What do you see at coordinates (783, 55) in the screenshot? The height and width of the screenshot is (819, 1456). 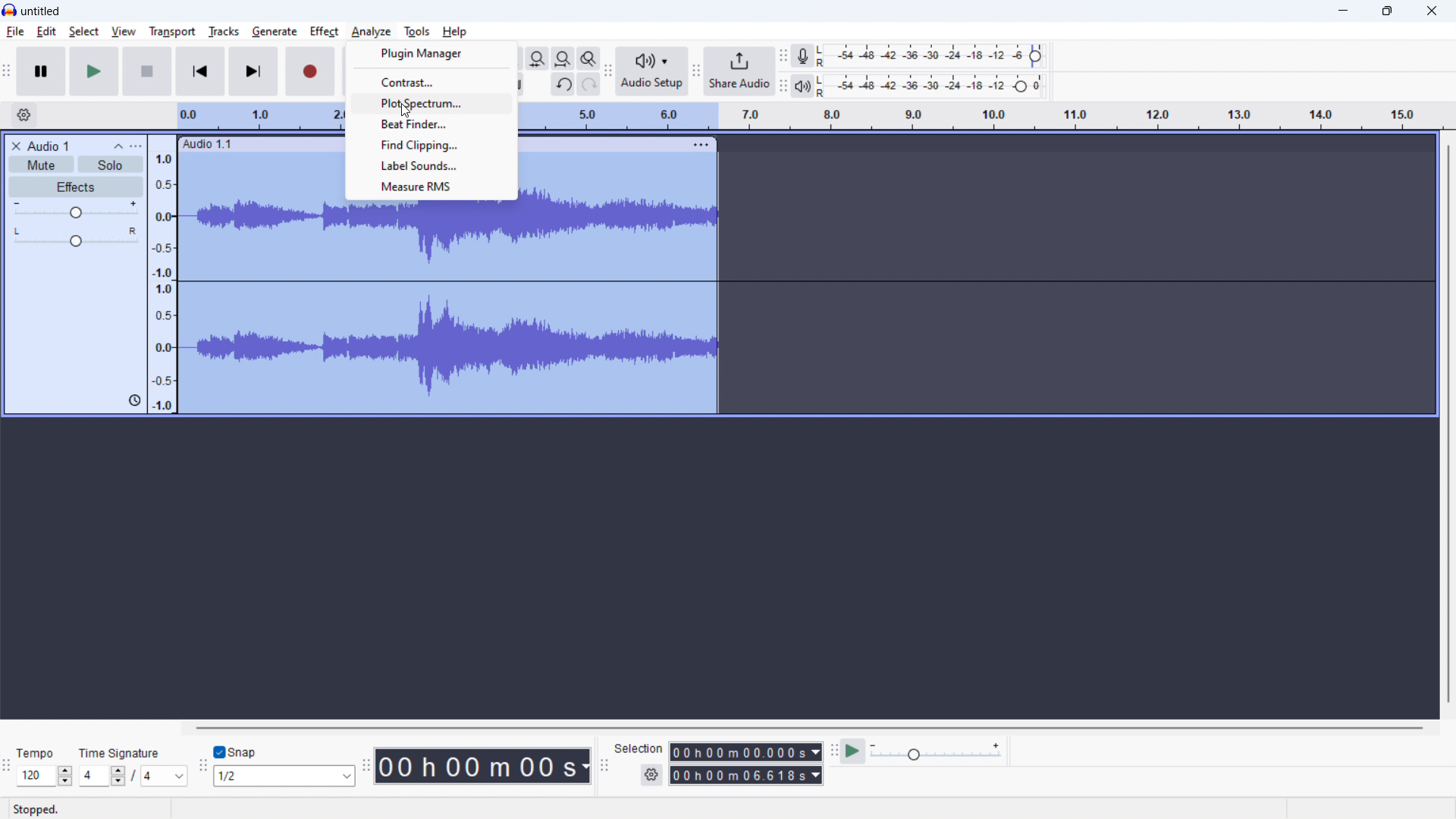 I see `recording meter toolbar` at bounding box center [783, 55].